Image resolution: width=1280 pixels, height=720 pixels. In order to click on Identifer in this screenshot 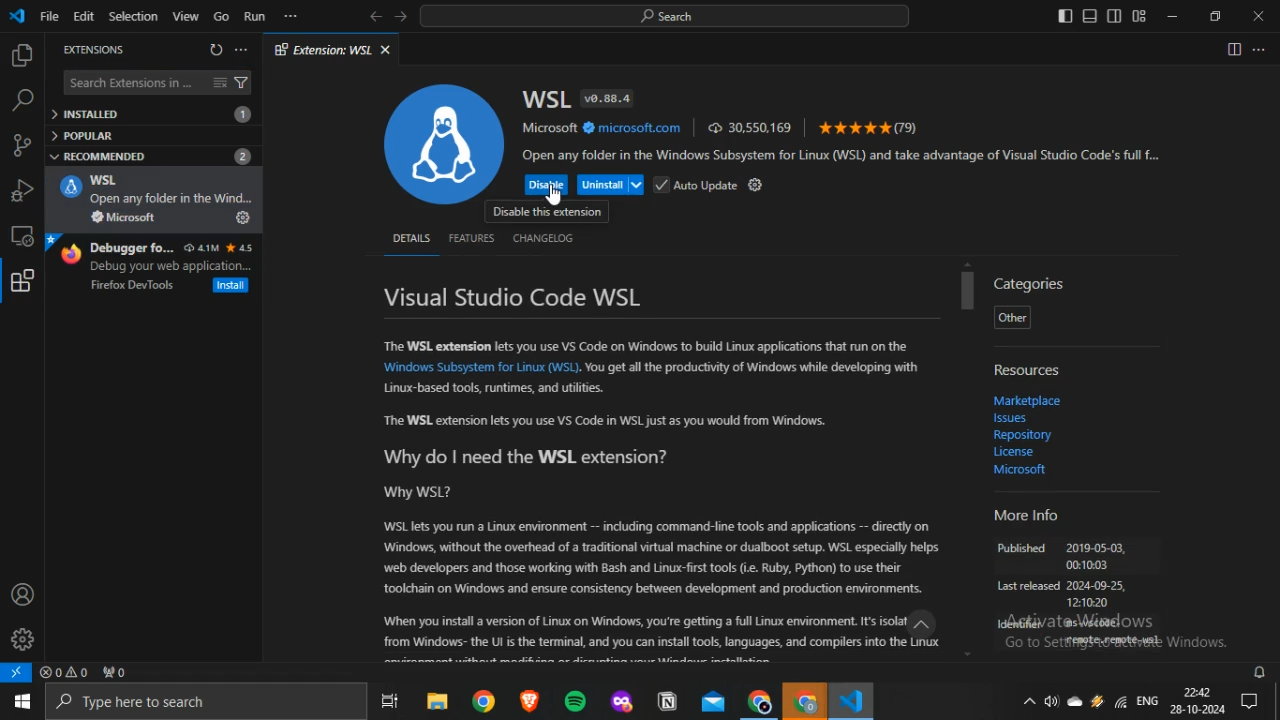, I will do `click(1020, 625)`.